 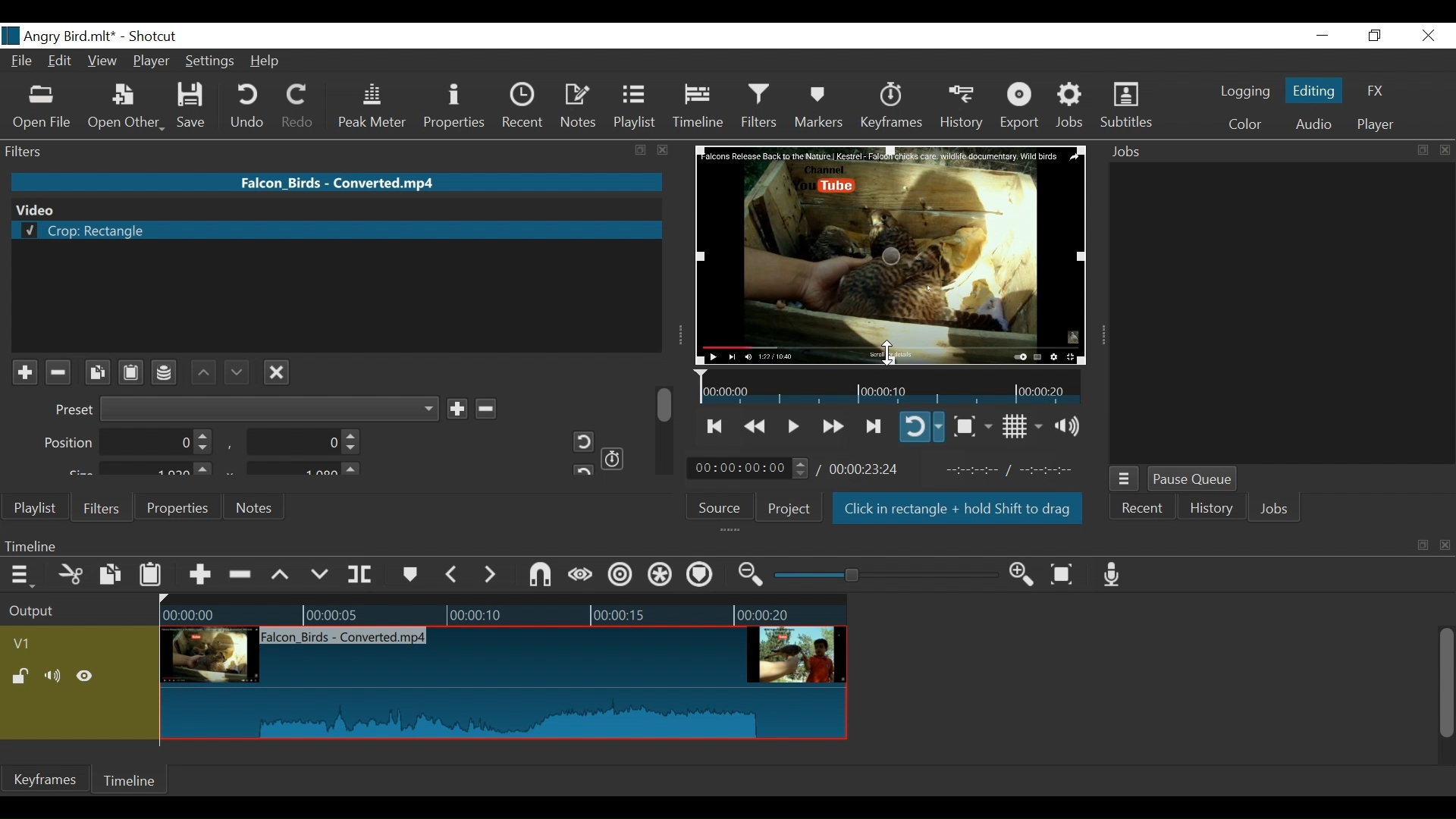 What do you see at coordinates (642, 151) in the screenshot?
I see `copy` at bounding box center [642, 151].